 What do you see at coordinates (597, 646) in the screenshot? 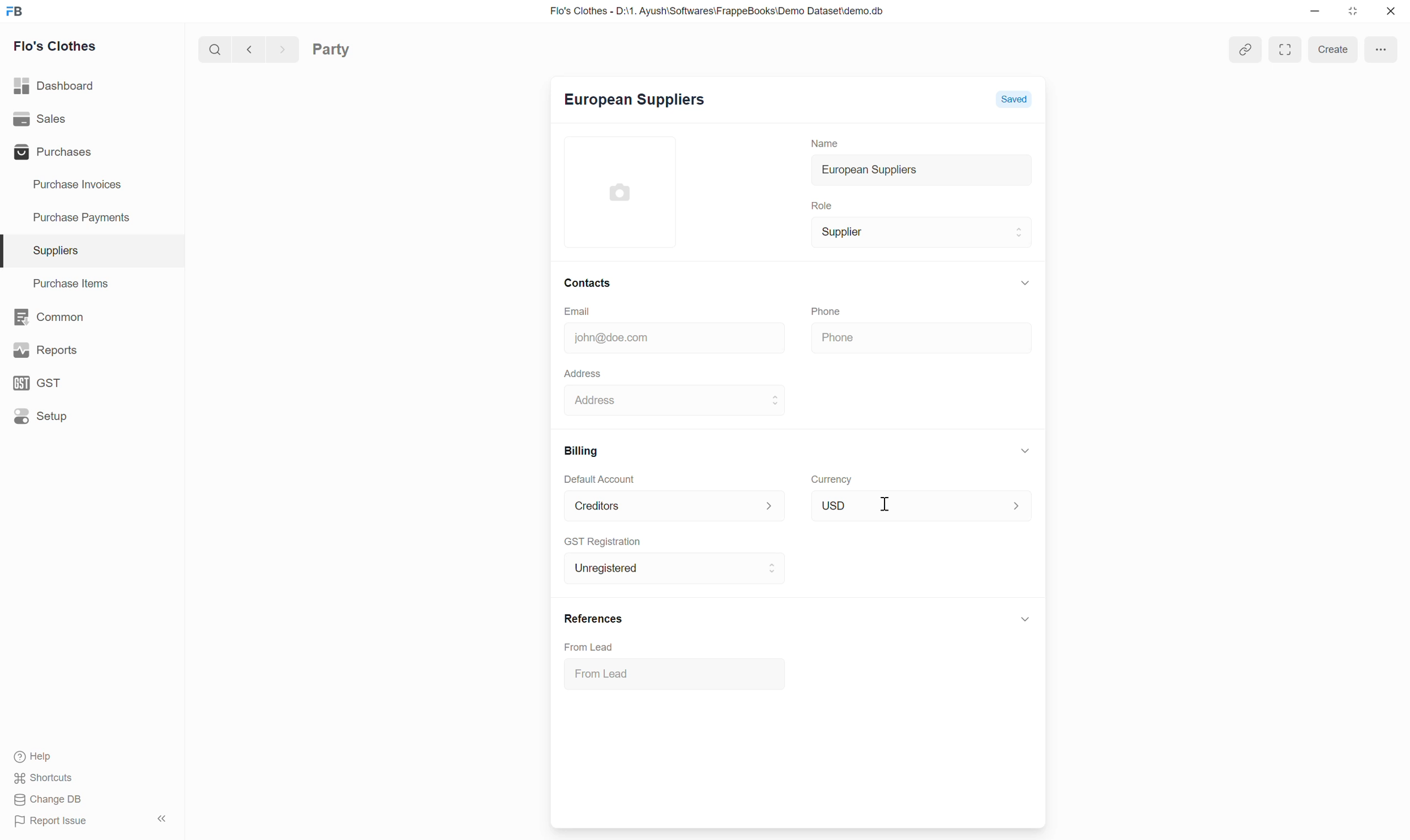
I see `From Lead` at bounding box center [597, 646].